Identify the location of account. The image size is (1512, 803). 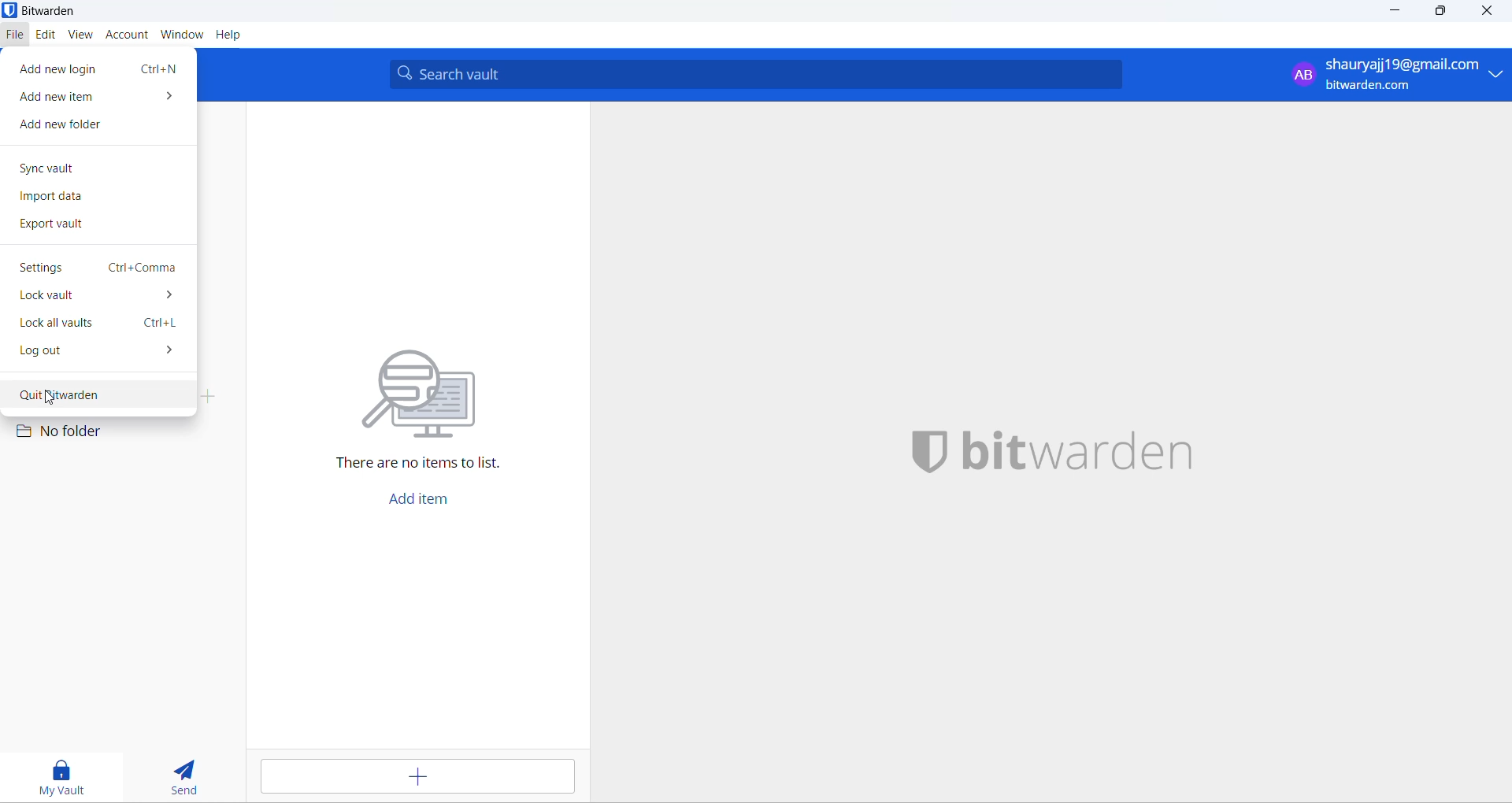
(126, 37).